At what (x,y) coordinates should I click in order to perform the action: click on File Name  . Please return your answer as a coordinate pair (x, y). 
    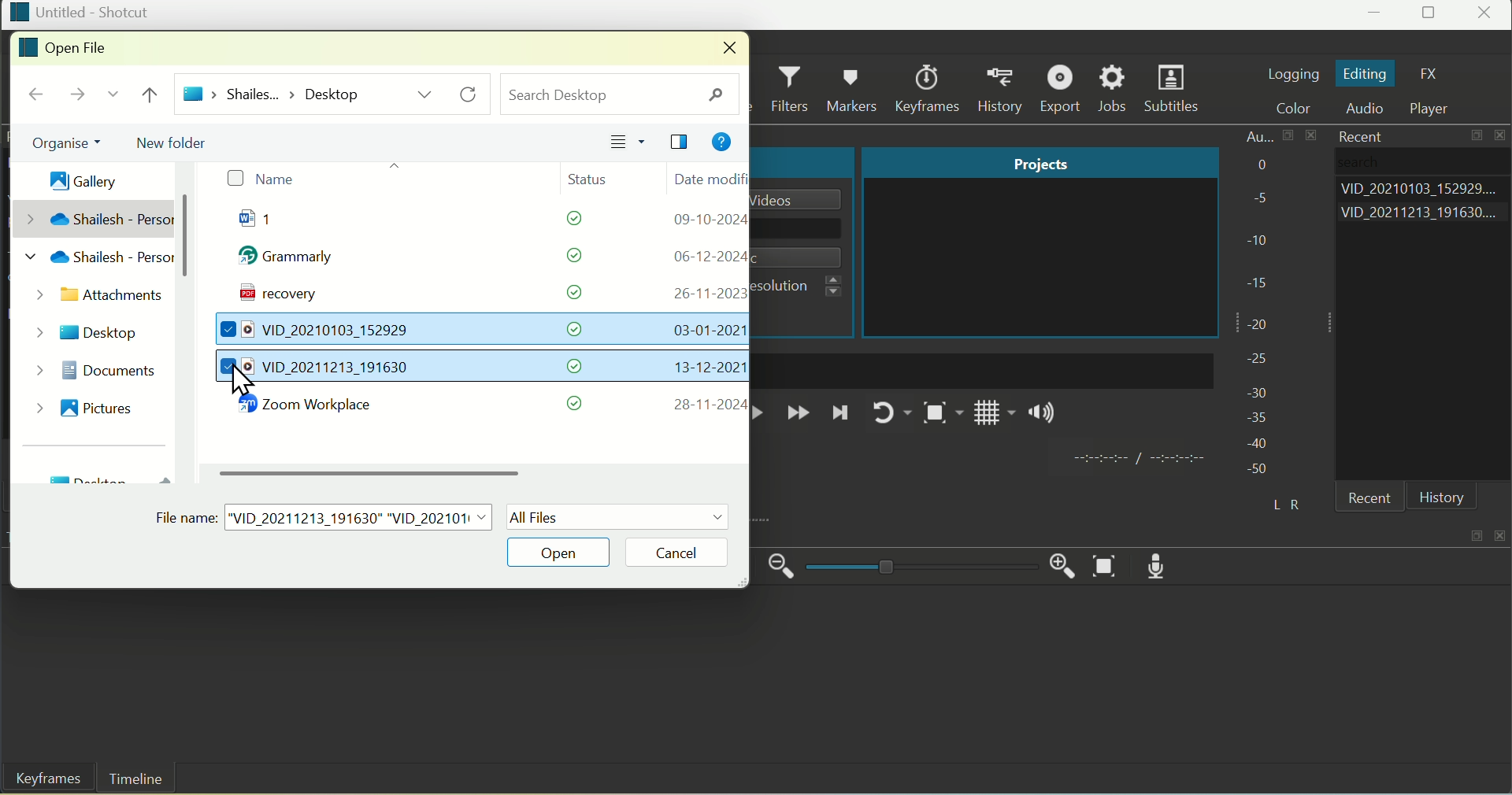
    Looking at the image, I should click on (325, 514).